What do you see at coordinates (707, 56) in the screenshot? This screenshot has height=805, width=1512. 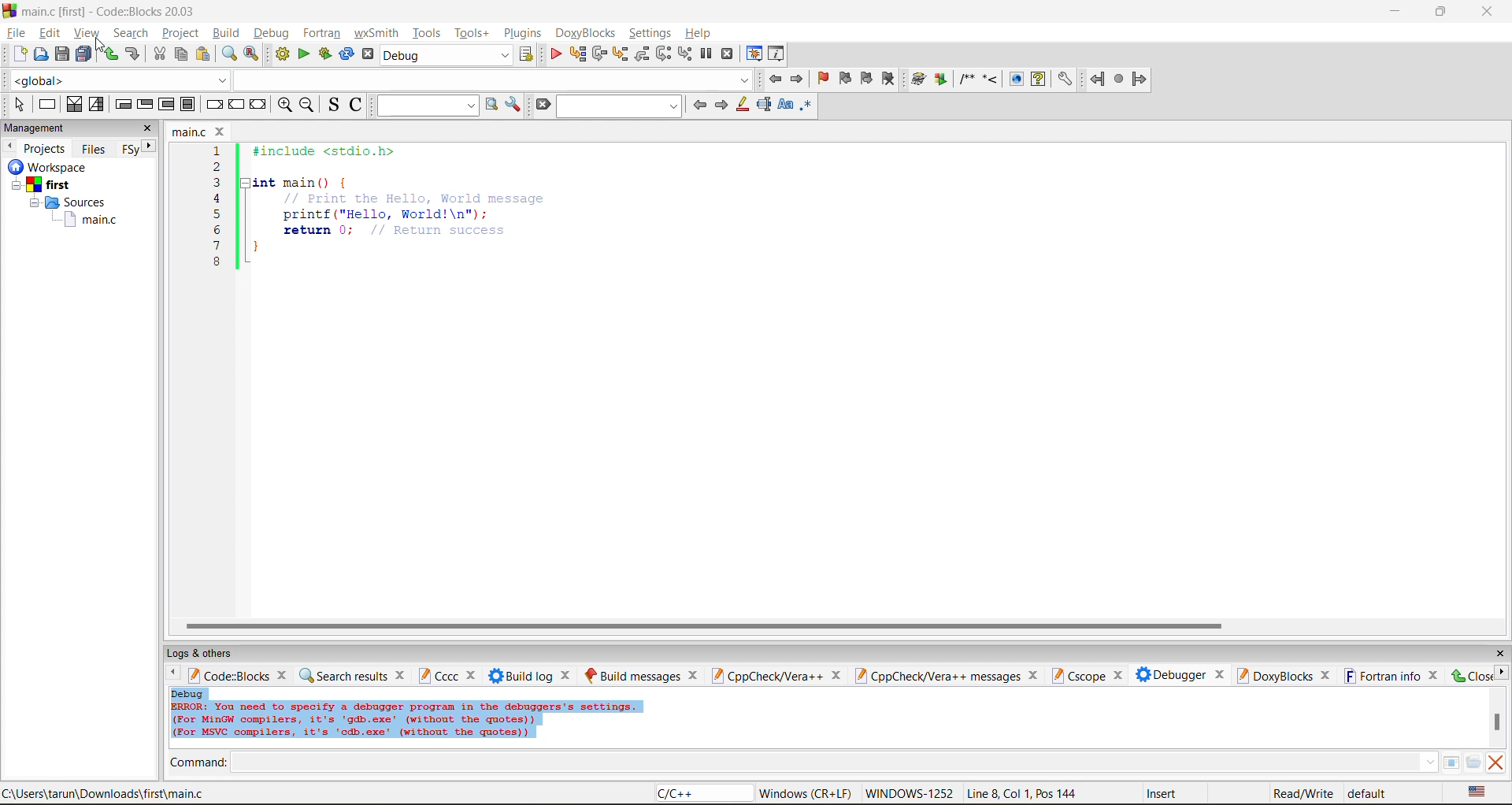 I see `break debugger` at bounding box center [707, 56].